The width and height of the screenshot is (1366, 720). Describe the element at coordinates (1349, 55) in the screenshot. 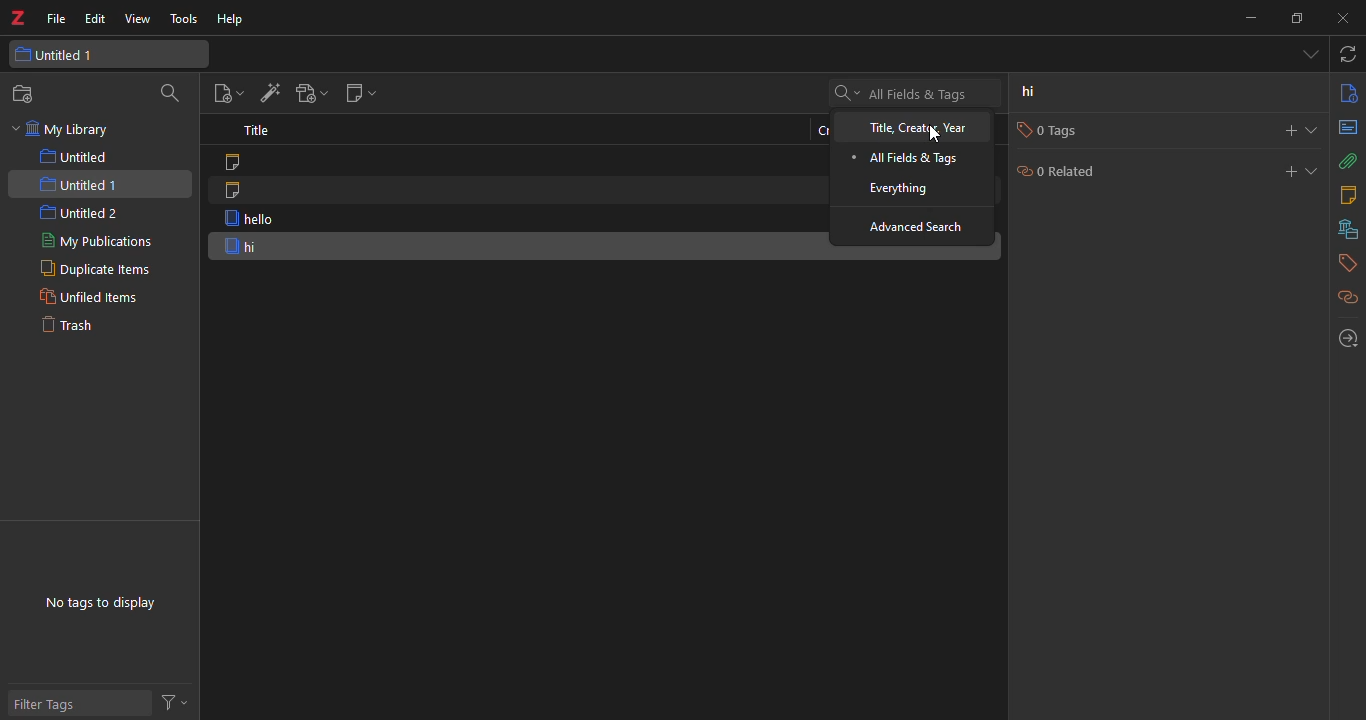

I see `sync` at that location.